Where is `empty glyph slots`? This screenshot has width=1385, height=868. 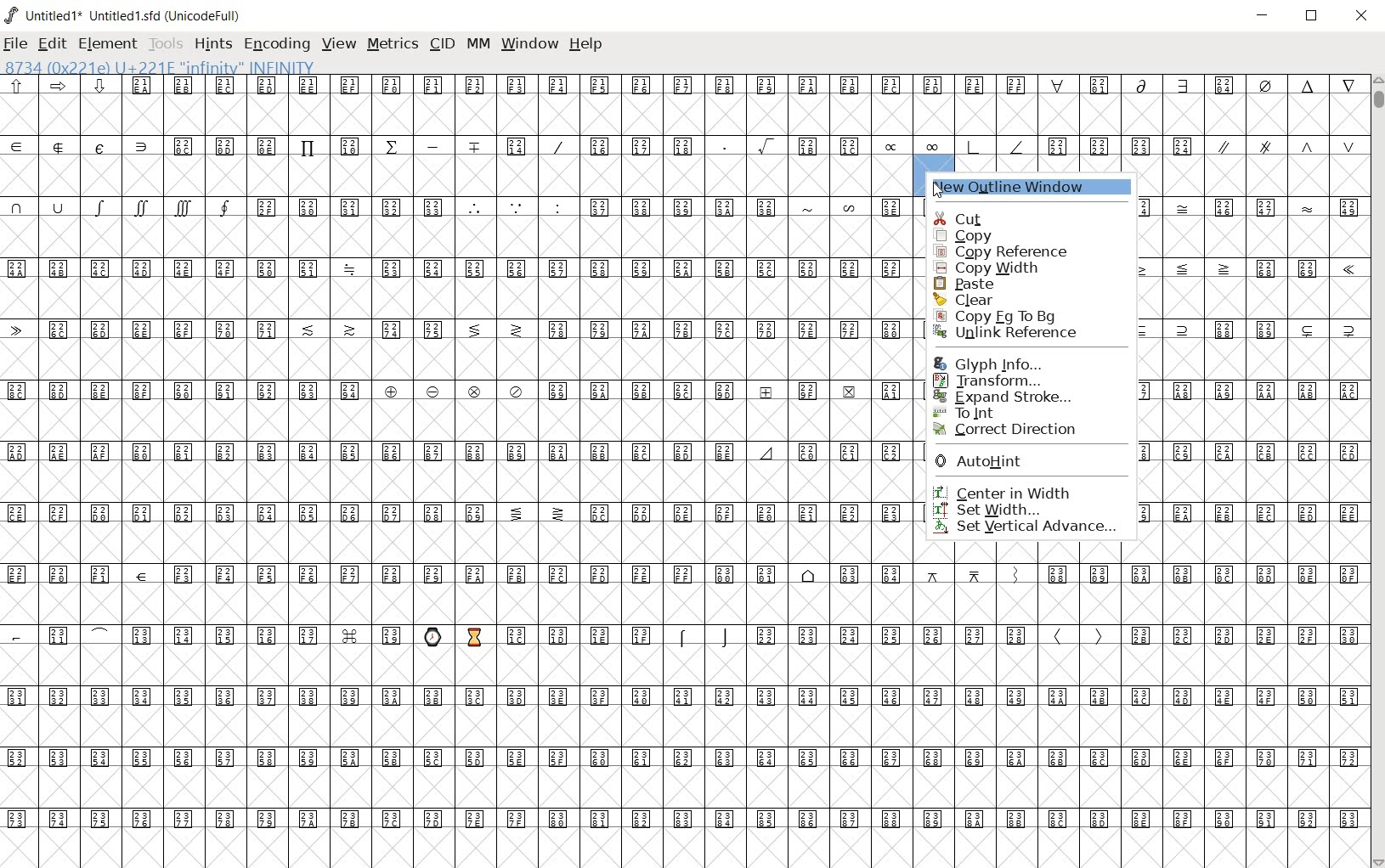
empty glyph slots is located at coordinates (465, 237).